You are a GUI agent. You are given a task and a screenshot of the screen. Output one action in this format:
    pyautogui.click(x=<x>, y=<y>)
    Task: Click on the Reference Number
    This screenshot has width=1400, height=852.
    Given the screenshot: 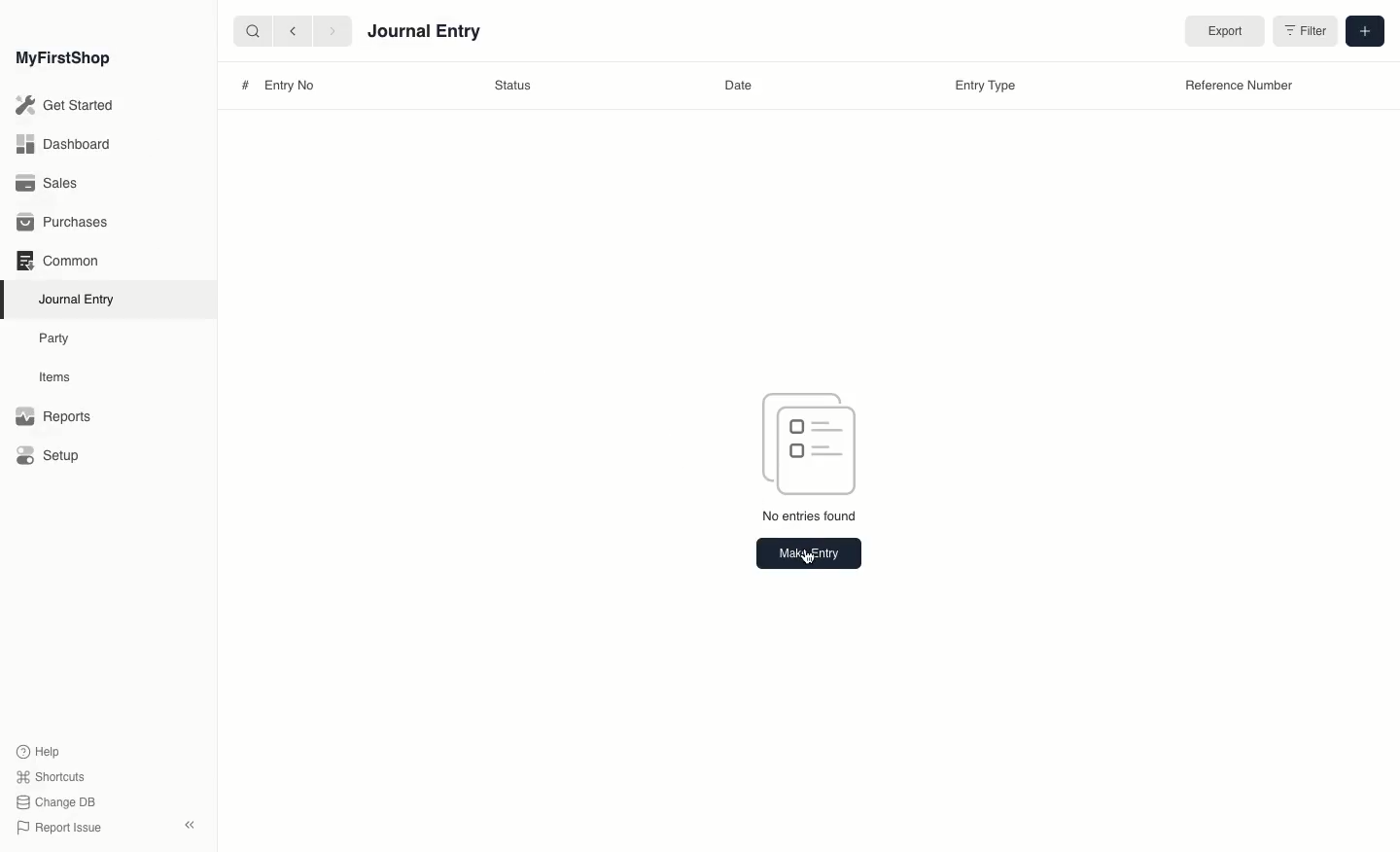 What is the action you would take?
    pyautogui.click(x=1240, y=85)
    